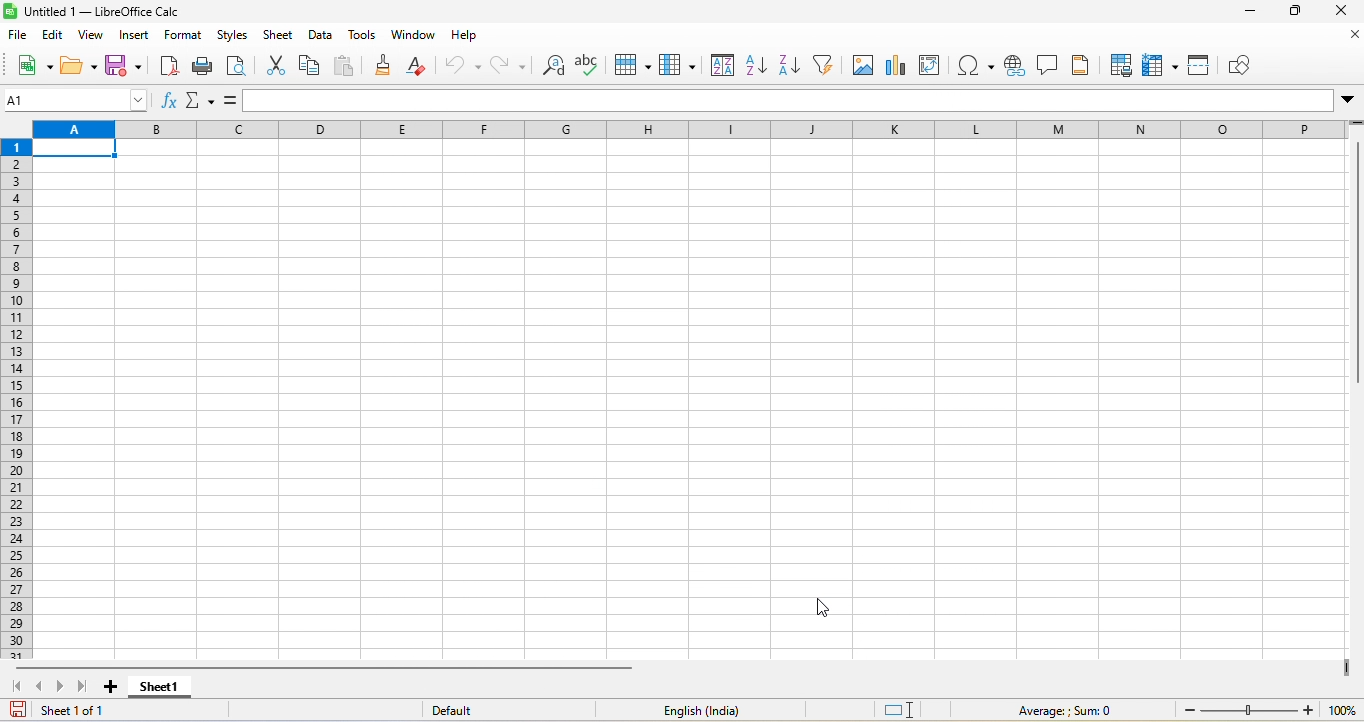  Describe the element at coordinates (90, 37) in the screenshot. I see `view` at that location.